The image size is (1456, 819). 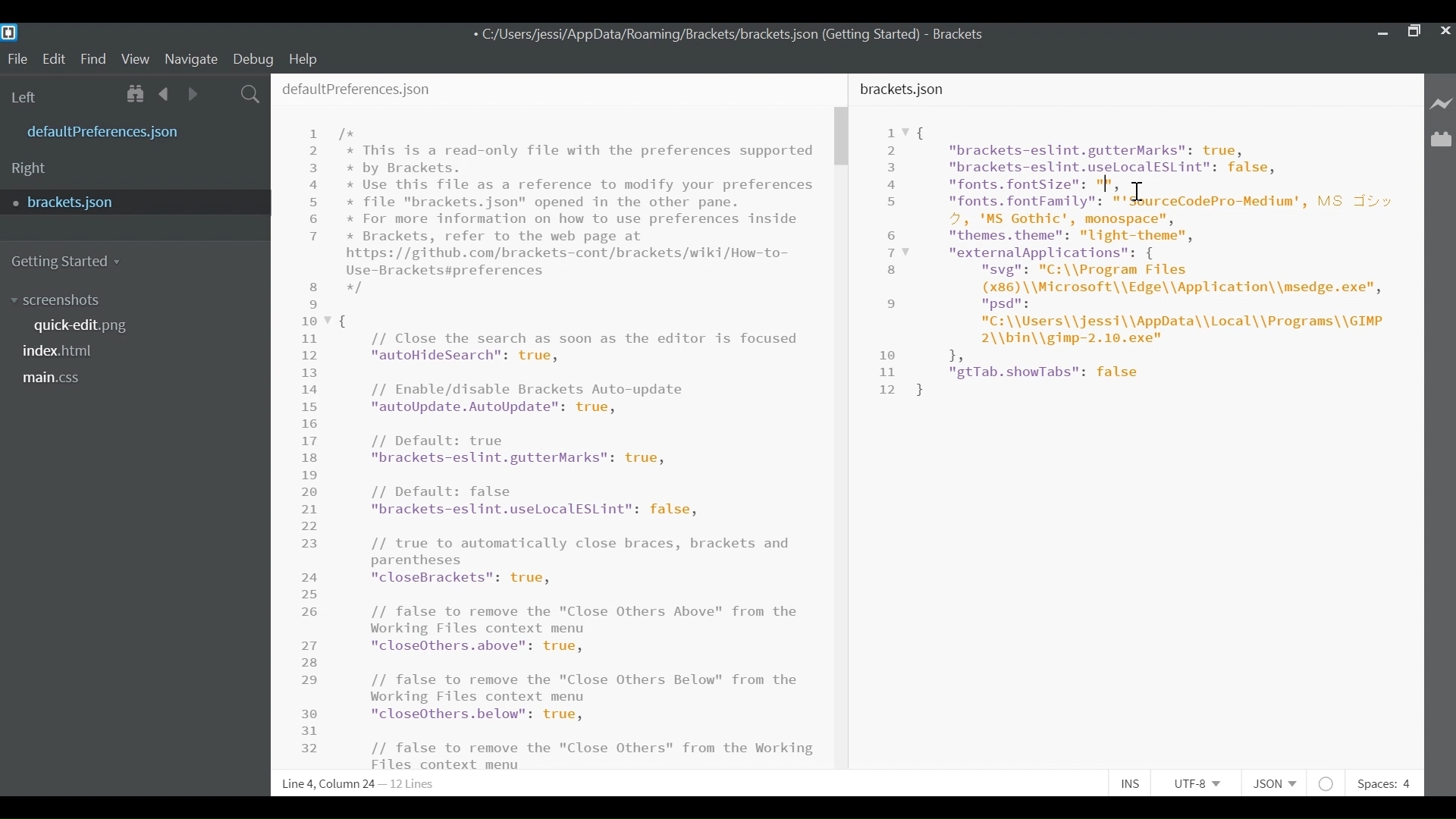 I want to click on INS, so click(x=1135, y=783).